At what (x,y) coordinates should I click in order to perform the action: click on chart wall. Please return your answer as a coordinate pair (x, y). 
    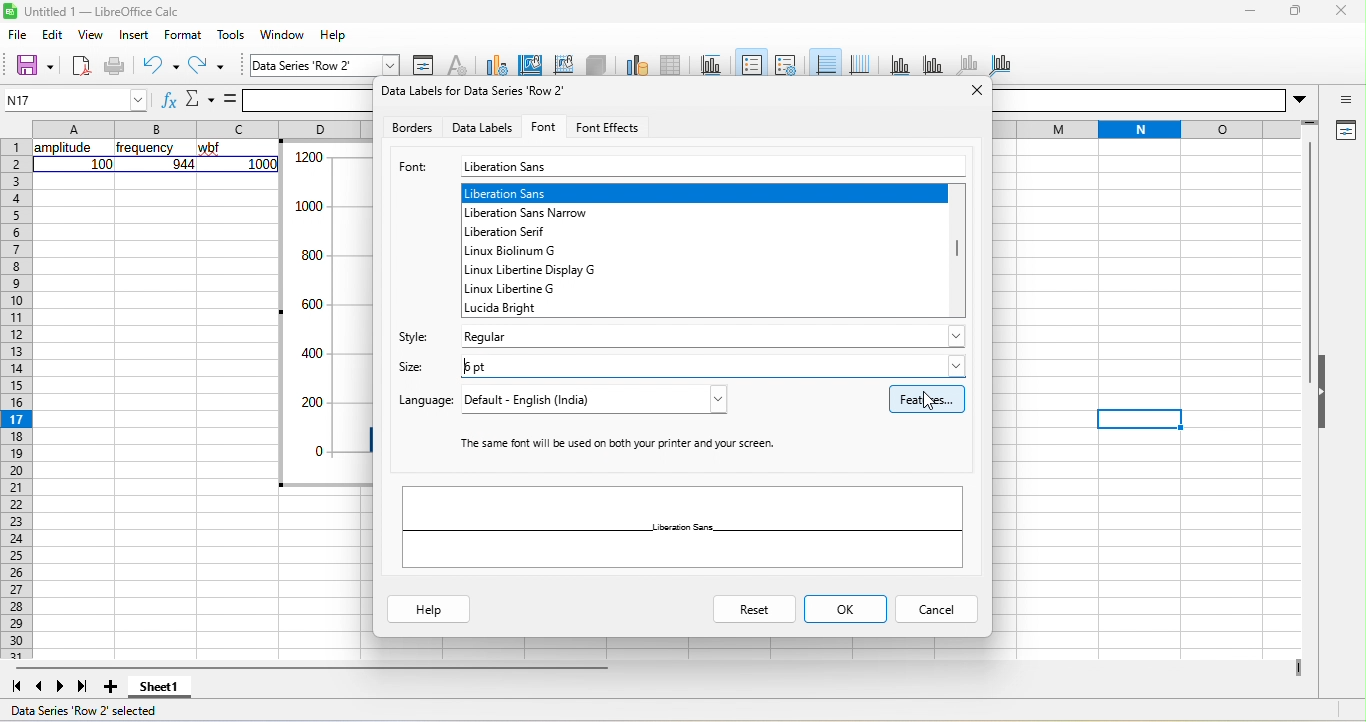
    Looking at the image, I should click on (563, 63).